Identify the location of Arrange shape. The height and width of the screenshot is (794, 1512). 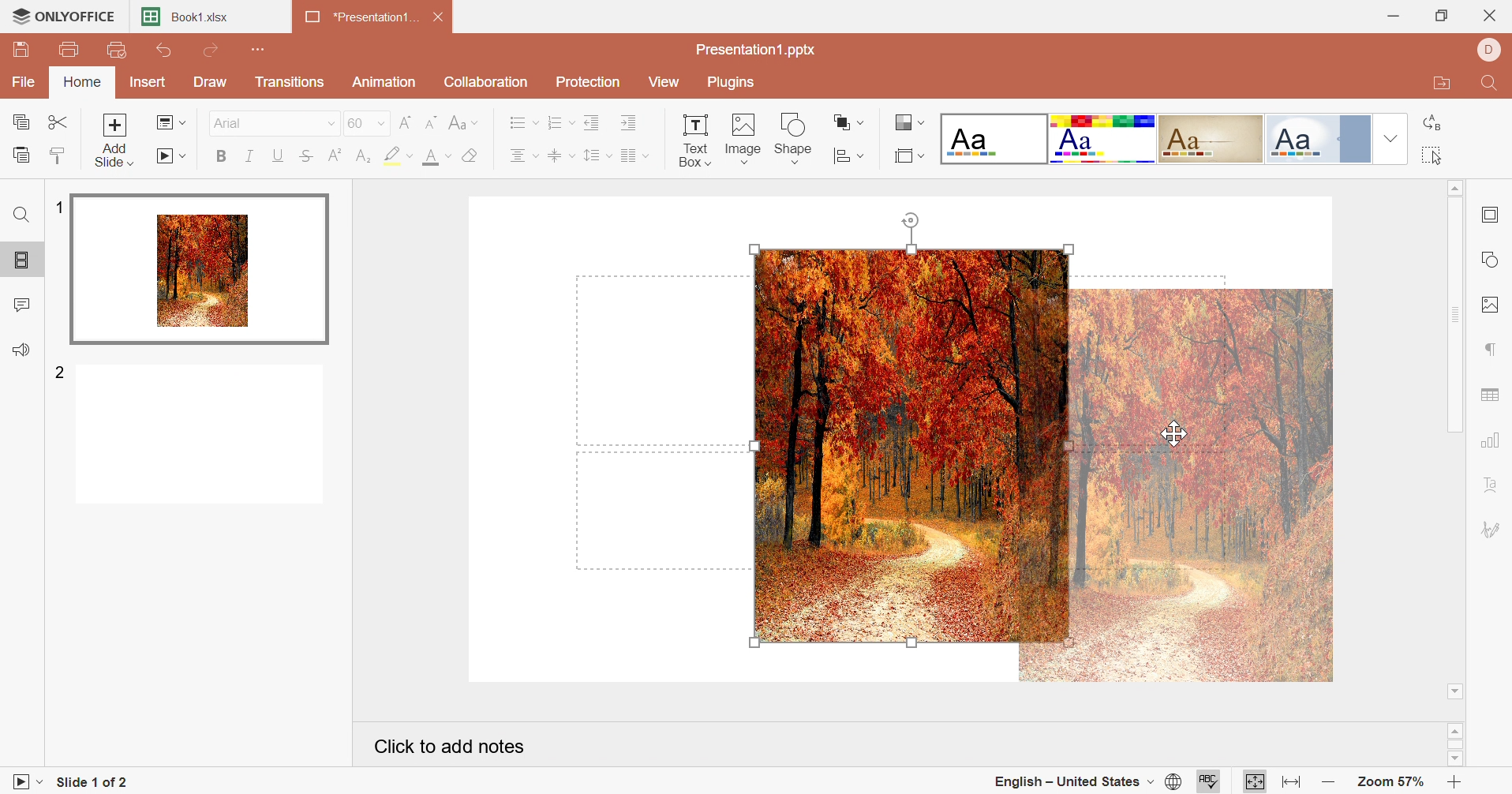
(845, 122).